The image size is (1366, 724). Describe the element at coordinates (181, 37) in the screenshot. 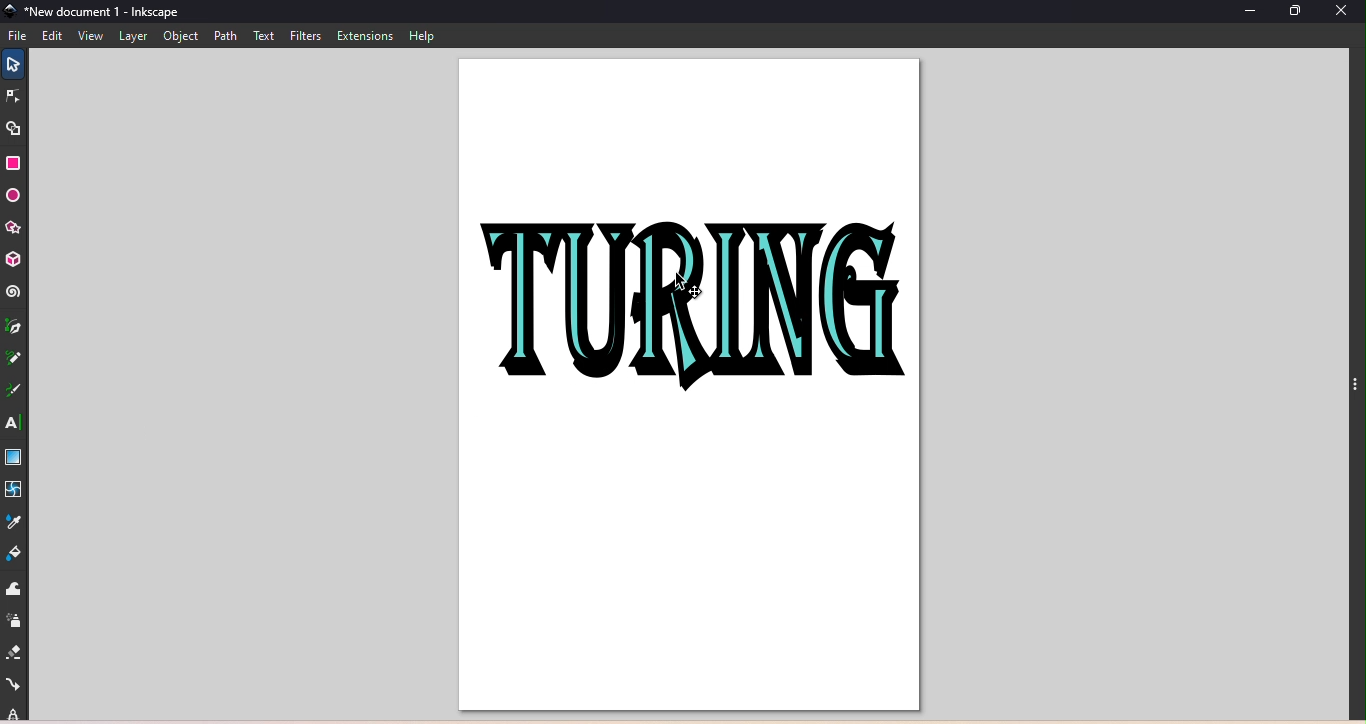

I see `Object` at that location.